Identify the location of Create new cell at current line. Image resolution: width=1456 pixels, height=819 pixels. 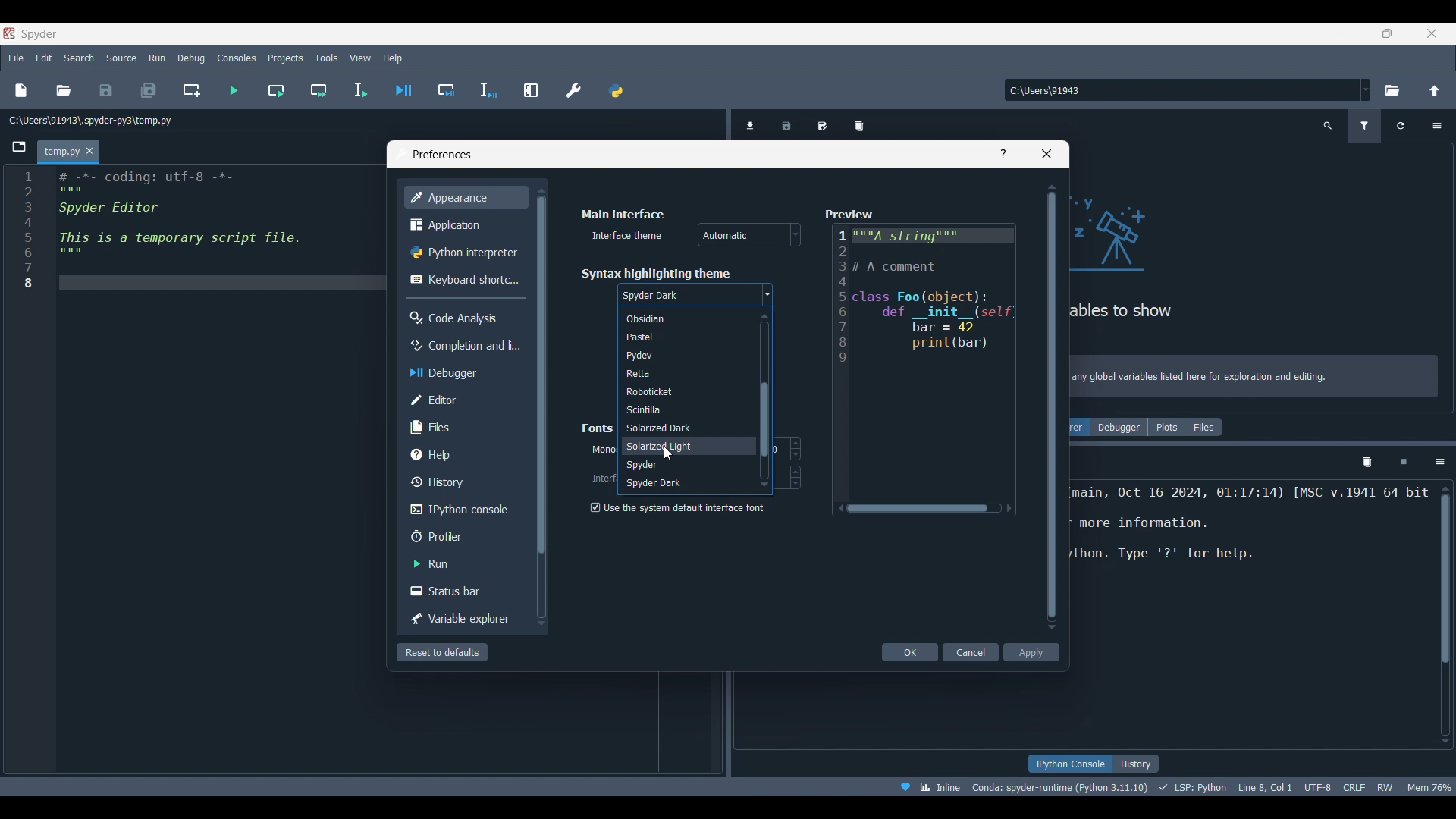
(191, 89).